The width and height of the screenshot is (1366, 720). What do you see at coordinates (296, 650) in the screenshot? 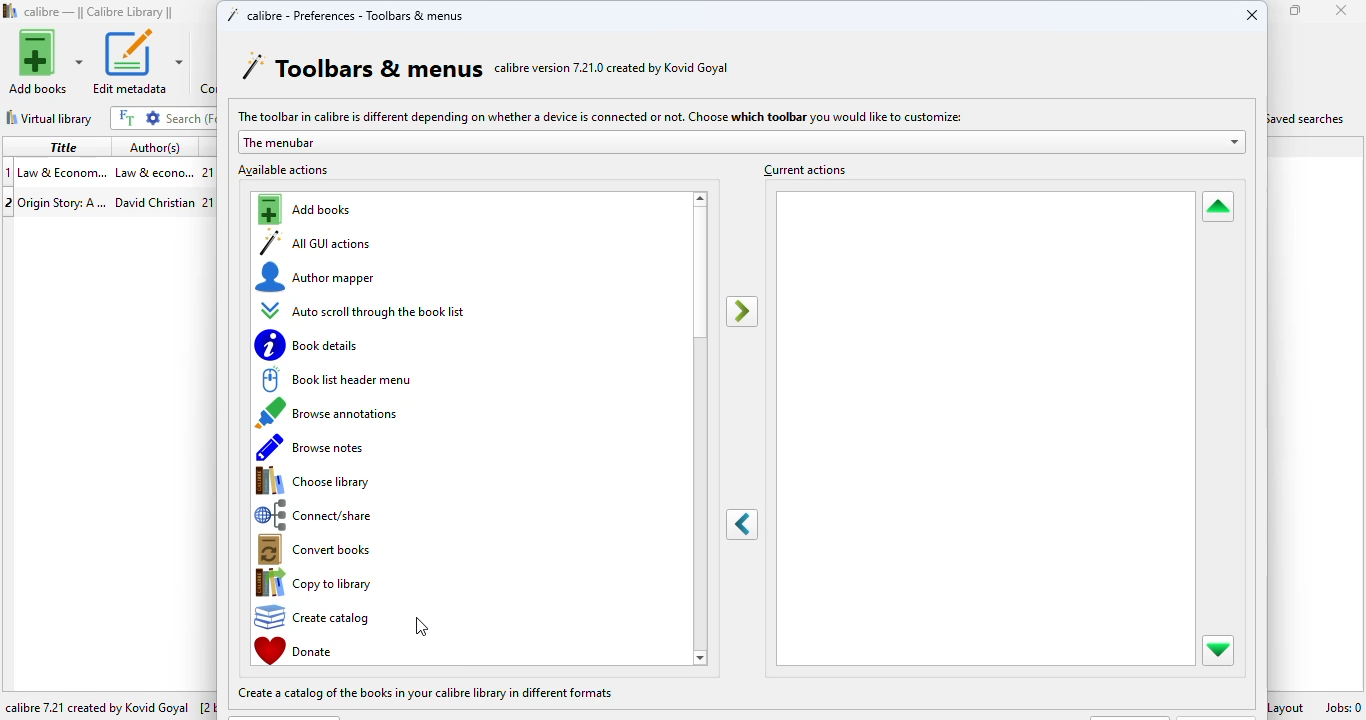
I see `donate` at bounding box center [296, 650].